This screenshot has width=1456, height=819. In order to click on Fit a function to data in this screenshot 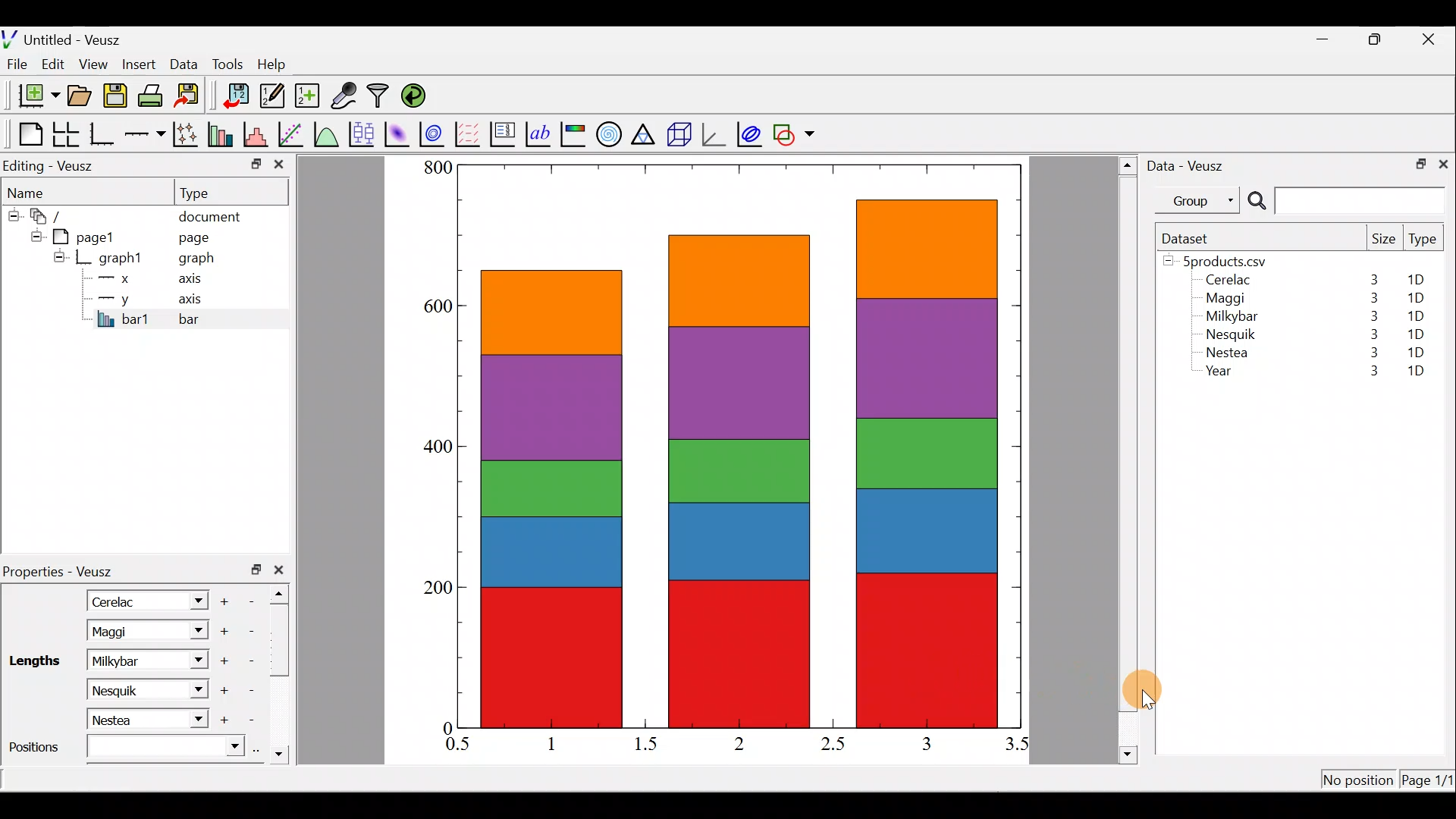, I will do `click(292, 133)`.